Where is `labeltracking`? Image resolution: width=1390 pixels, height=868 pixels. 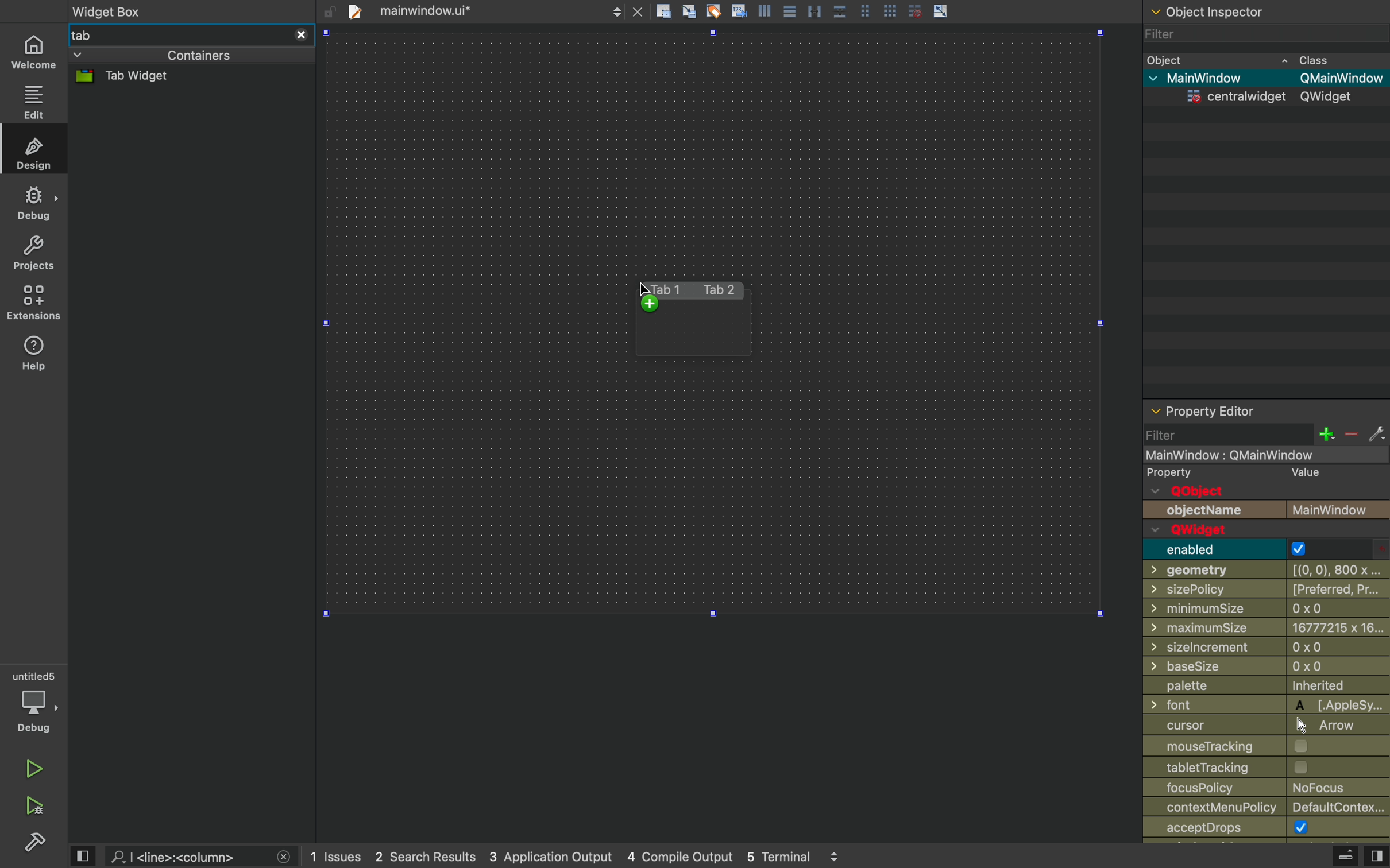 labeltracking is located at coordinates (1268, 769).